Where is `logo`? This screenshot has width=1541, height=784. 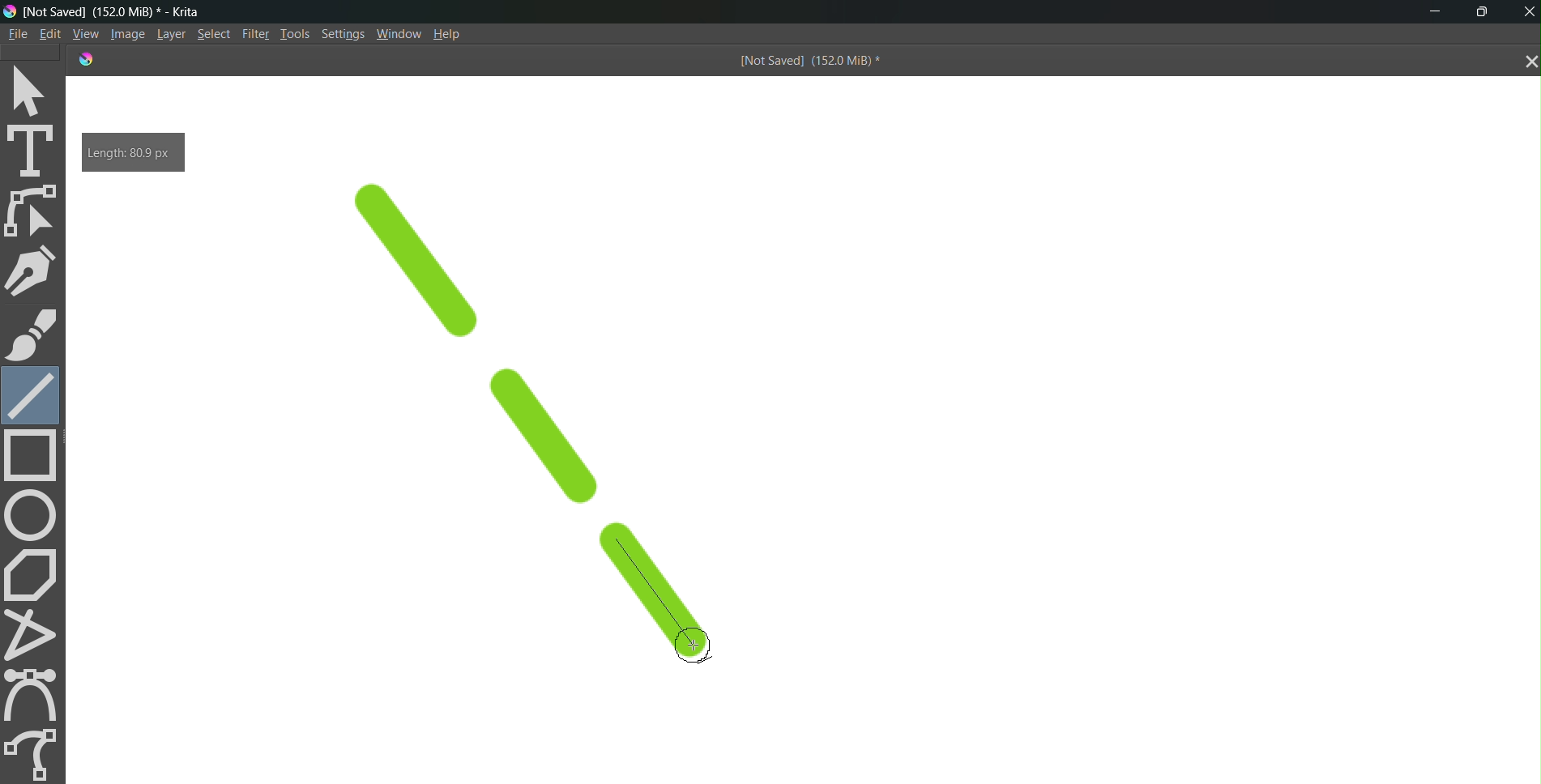
logo is located at coordinates (10, 11).